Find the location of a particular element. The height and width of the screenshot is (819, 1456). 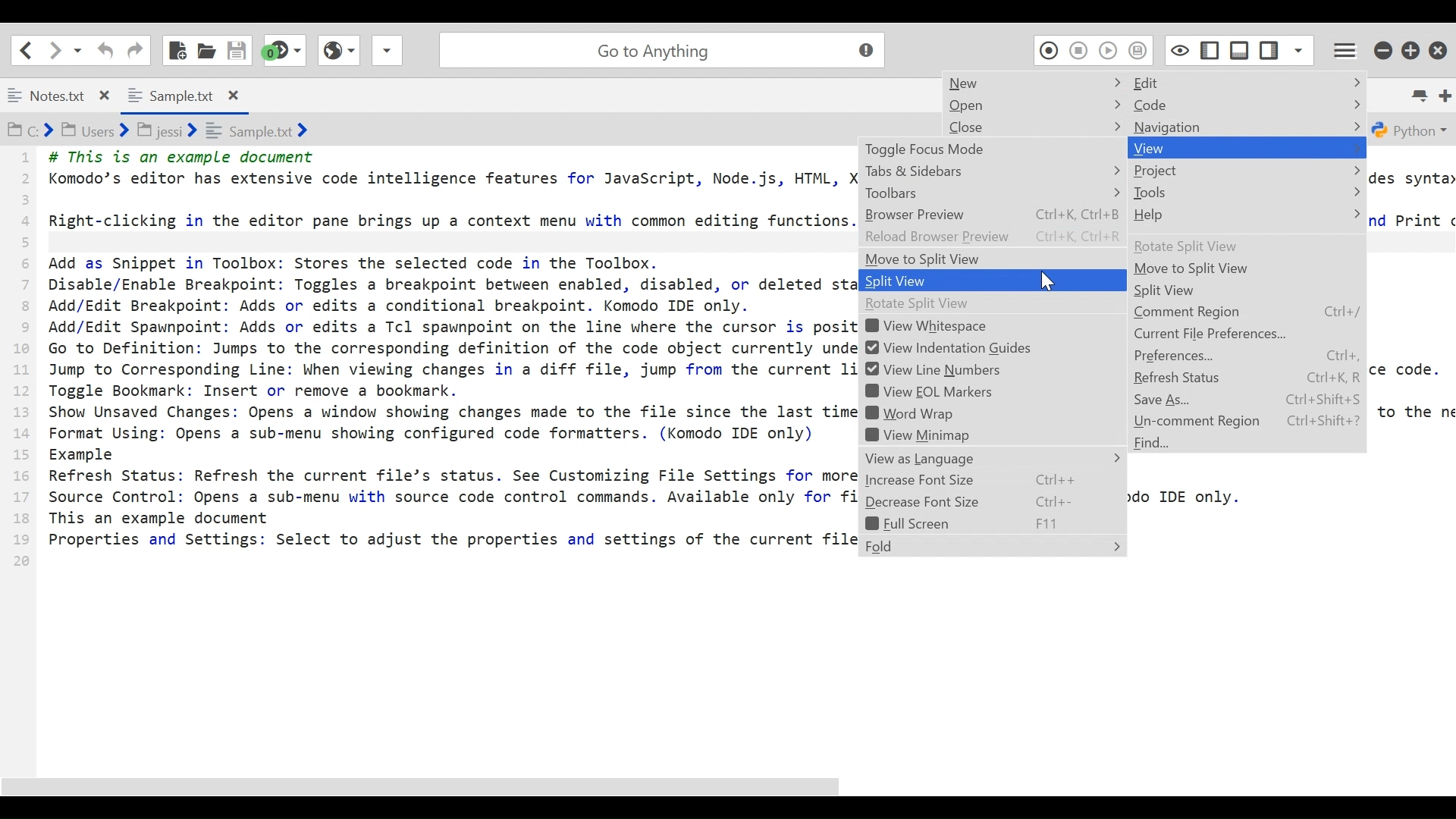

View as Language is located at coordinates (993, 458).